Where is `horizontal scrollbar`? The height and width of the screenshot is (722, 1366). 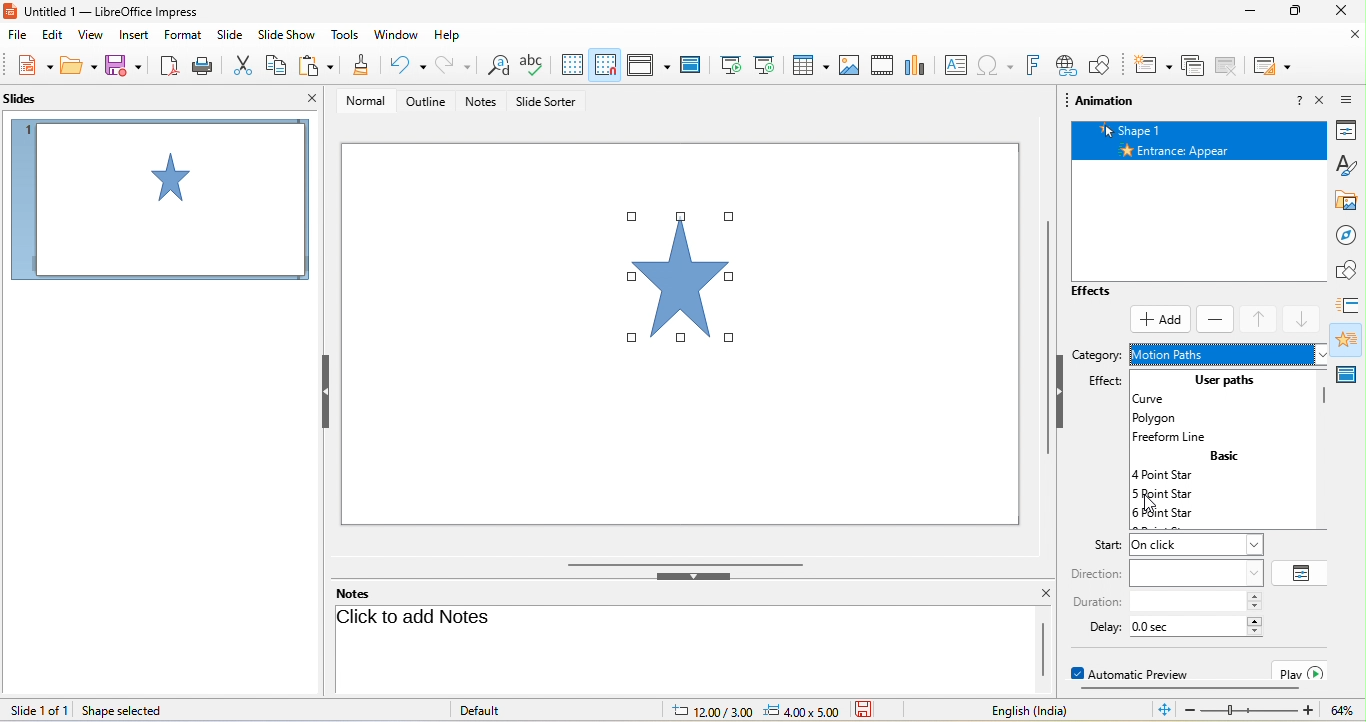
horizontal scrollbar is located at coordinates (688, 563).